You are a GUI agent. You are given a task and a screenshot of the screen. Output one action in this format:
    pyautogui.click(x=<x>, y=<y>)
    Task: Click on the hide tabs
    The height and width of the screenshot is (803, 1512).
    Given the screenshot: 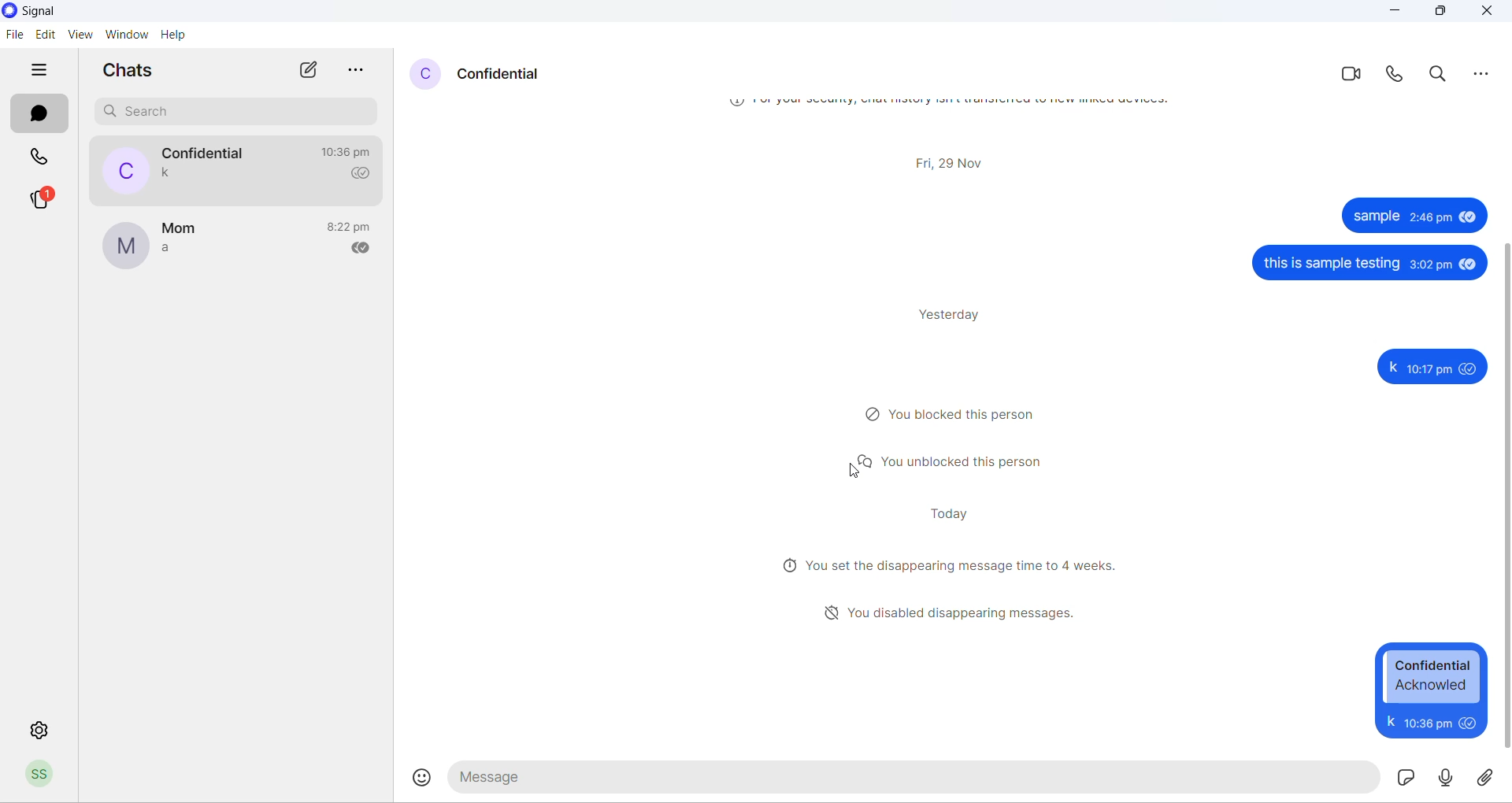 What is the action you would take?
    pyautogui.click(x=46, y=71)
    